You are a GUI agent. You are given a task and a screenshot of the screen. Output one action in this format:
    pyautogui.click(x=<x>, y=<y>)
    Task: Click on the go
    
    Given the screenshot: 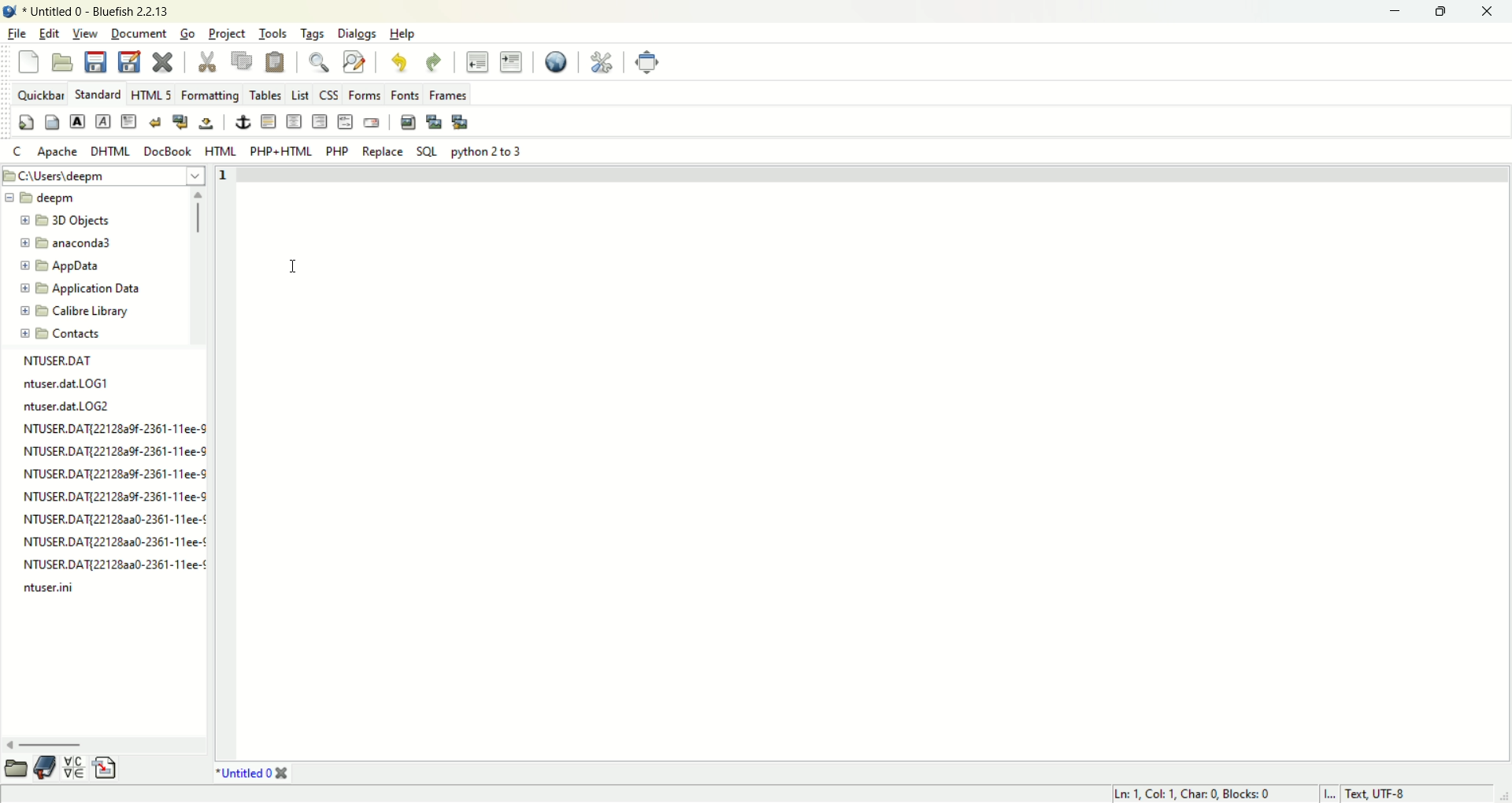 What is the action you would take?
    pyautogui.click(x=189, y=34)
    